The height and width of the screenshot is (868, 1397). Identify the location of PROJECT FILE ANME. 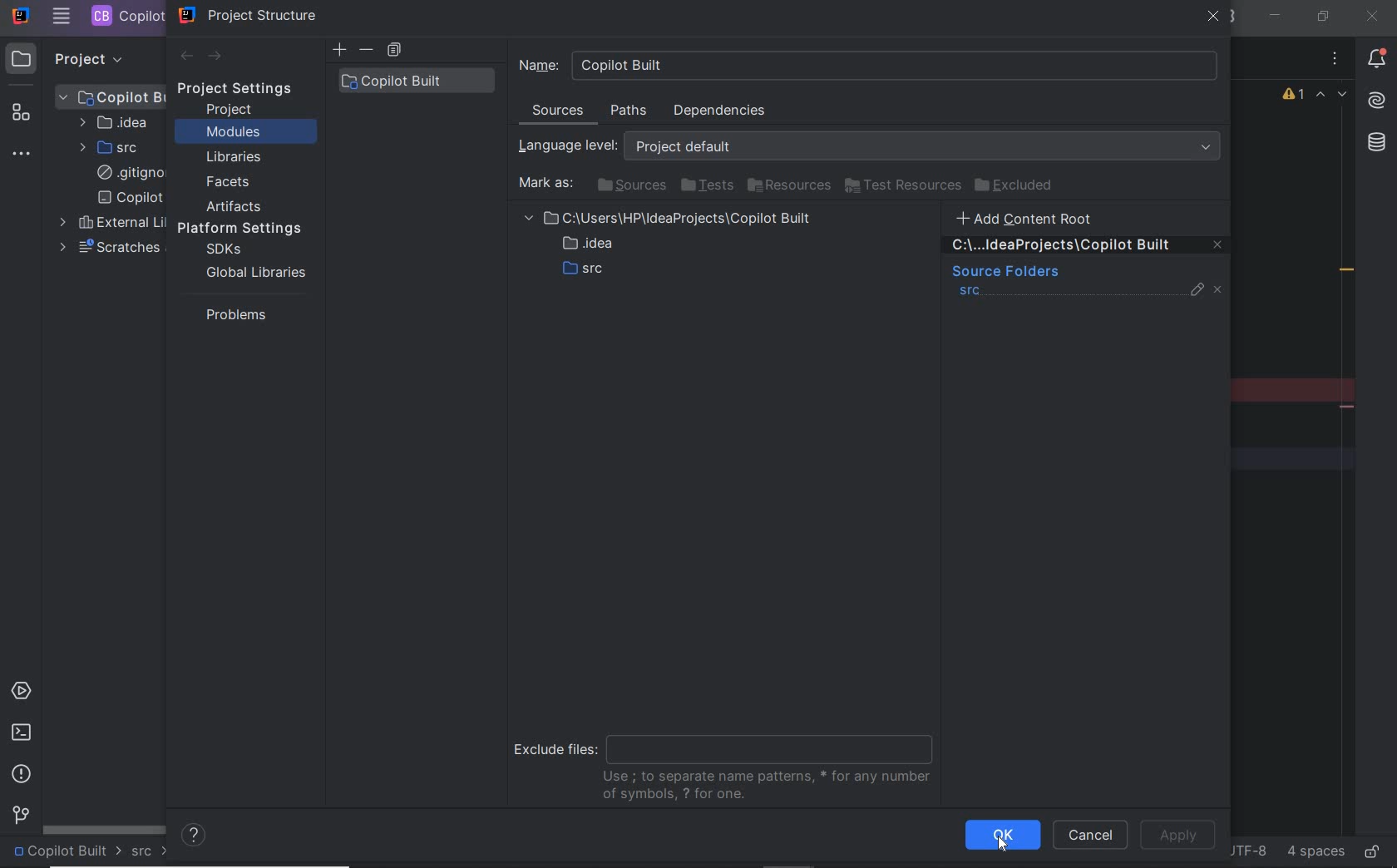
(112, 96).